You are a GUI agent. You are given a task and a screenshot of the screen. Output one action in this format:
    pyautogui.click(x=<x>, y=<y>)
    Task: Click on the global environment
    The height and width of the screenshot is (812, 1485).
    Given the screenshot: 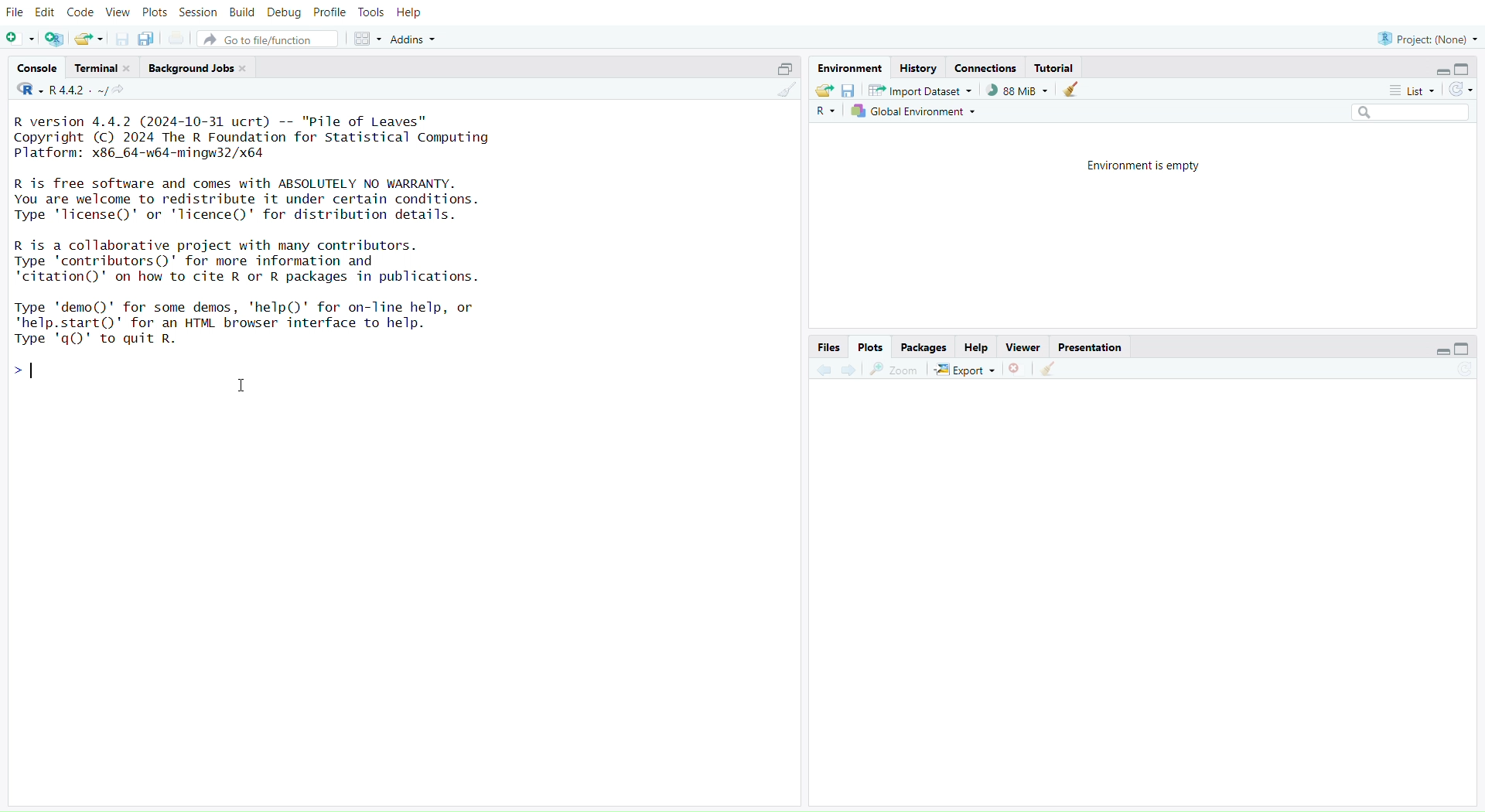 What is the action you would take?
    pyautogui.click(x=916, y=112)
    